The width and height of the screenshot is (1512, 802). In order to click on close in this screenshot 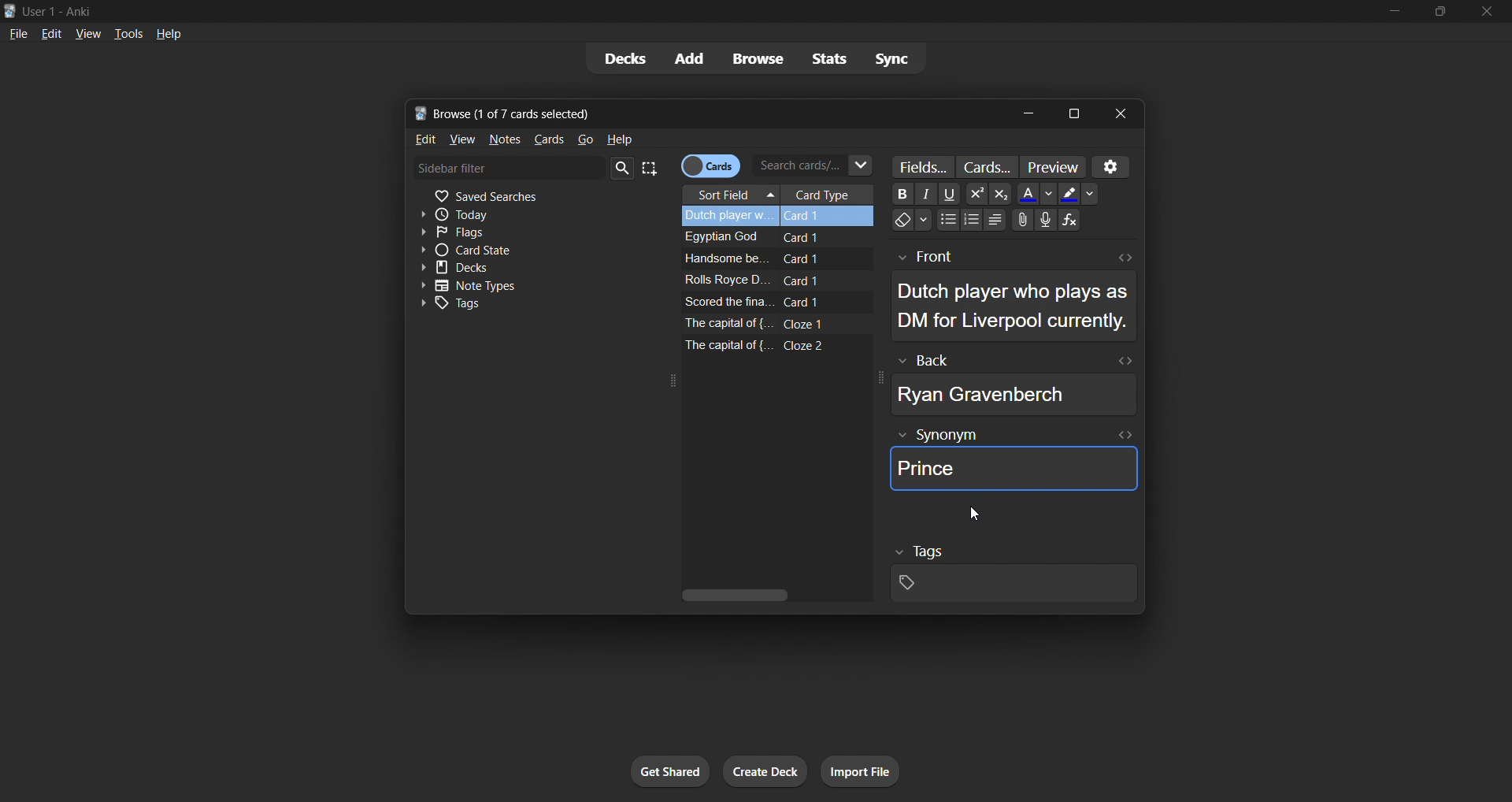, I will do `click(1121, 113)`.